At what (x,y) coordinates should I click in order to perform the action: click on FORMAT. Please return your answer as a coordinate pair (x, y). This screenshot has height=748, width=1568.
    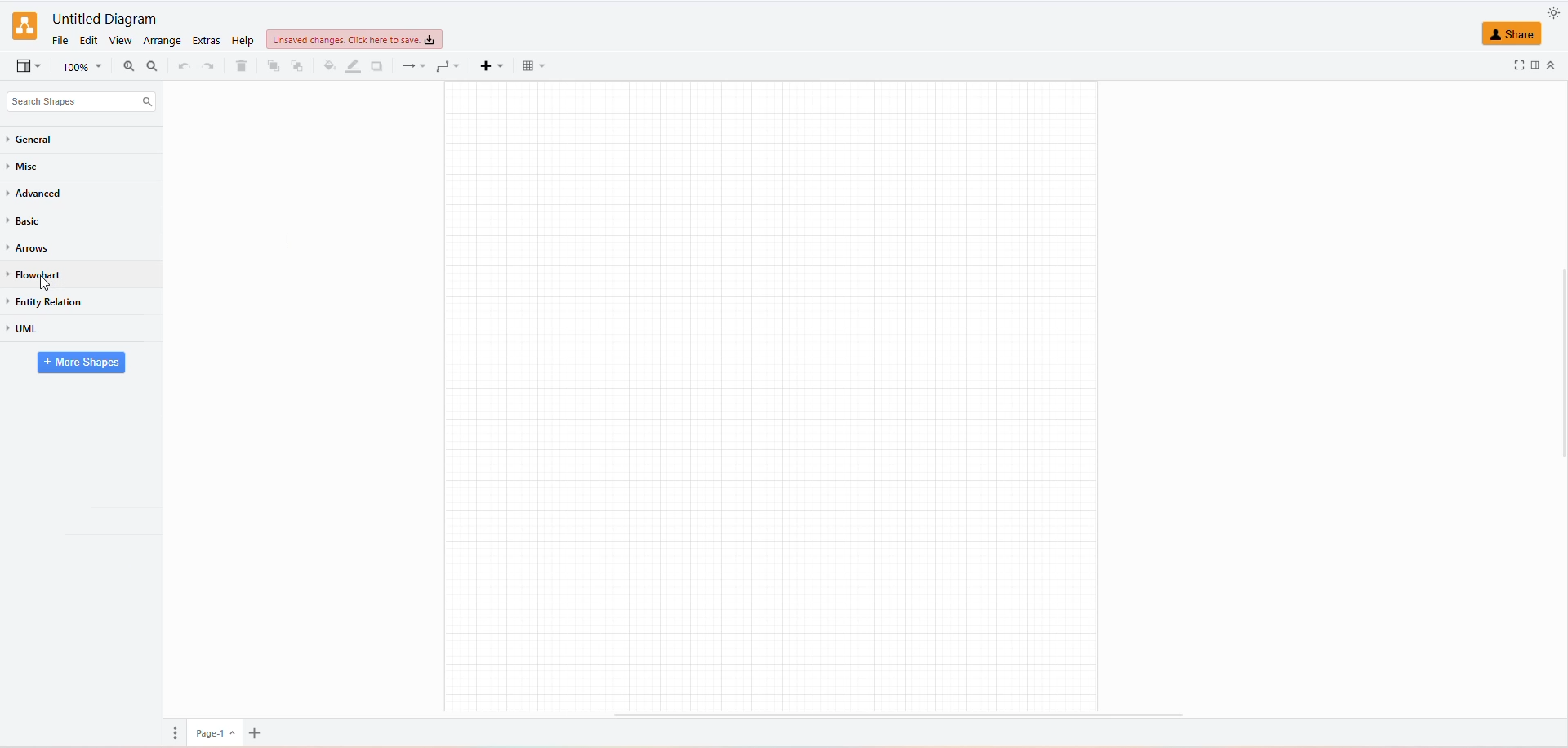
    Looking at the image, I should click on (1533, 65).